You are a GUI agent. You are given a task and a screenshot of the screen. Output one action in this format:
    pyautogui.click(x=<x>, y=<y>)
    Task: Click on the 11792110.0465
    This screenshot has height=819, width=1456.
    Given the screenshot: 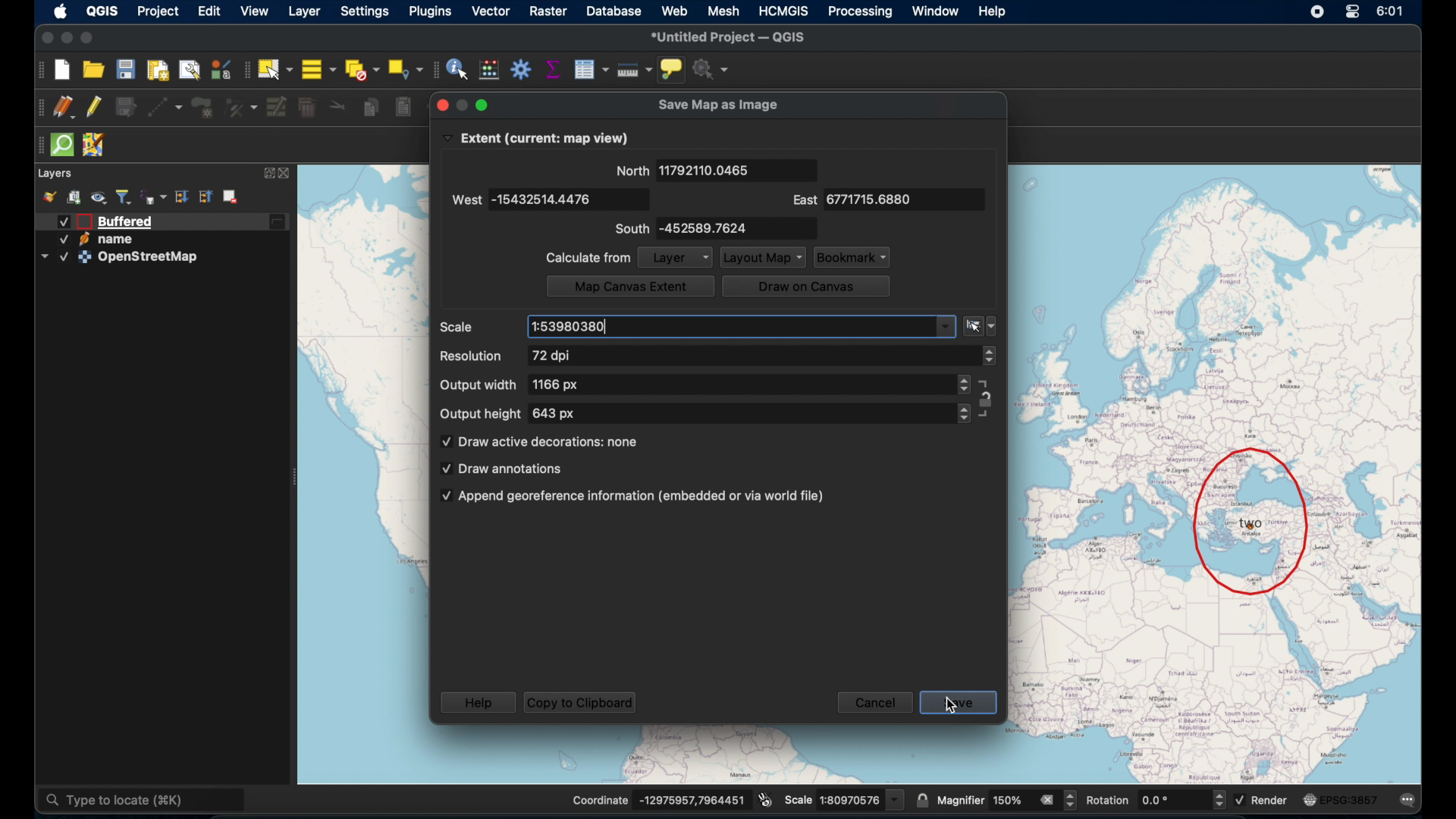 What is the action you would take?
    pyautogui.click(x=738, y=169)
    